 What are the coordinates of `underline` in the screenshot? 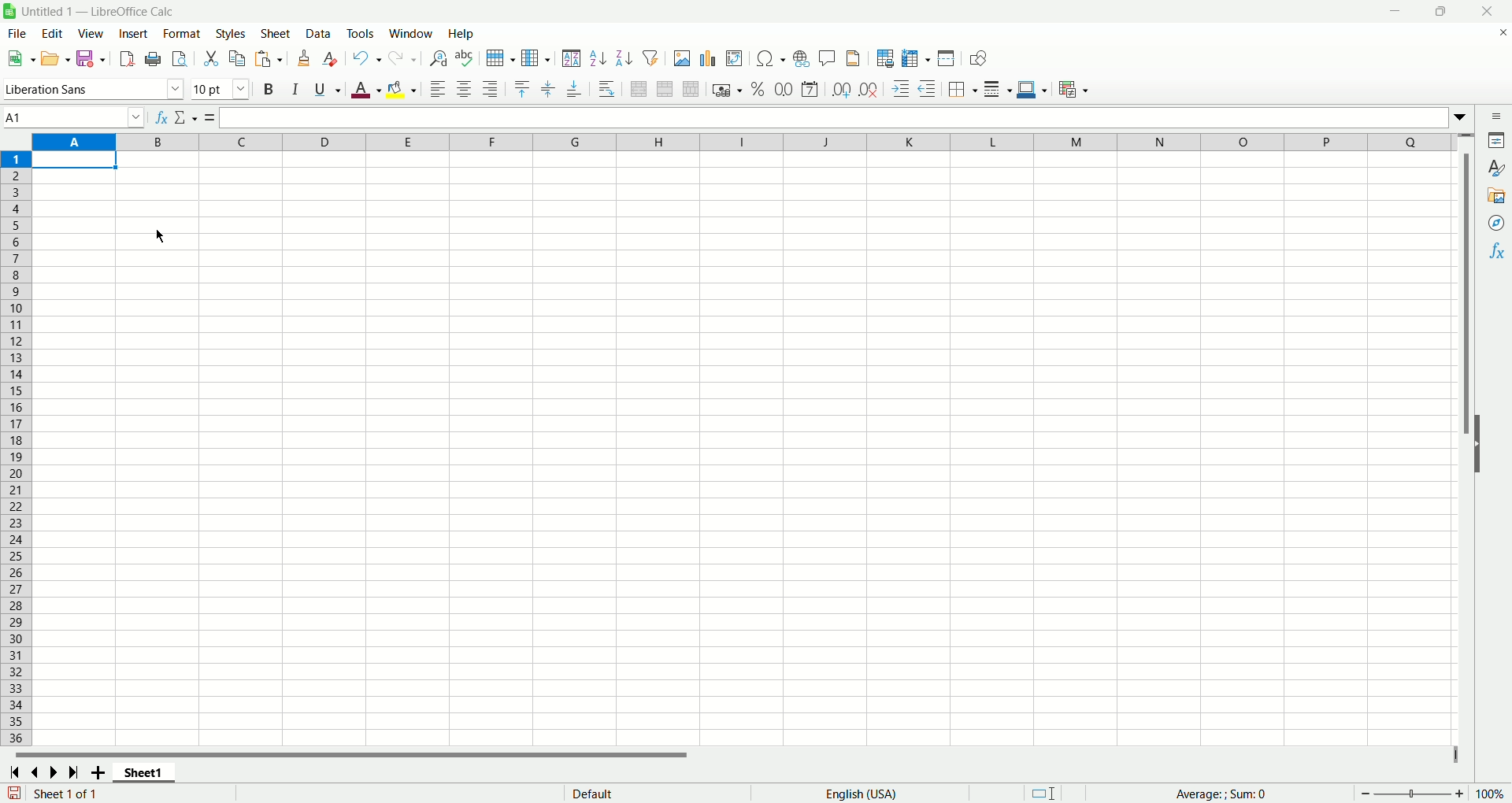 It's located at (325, 89).